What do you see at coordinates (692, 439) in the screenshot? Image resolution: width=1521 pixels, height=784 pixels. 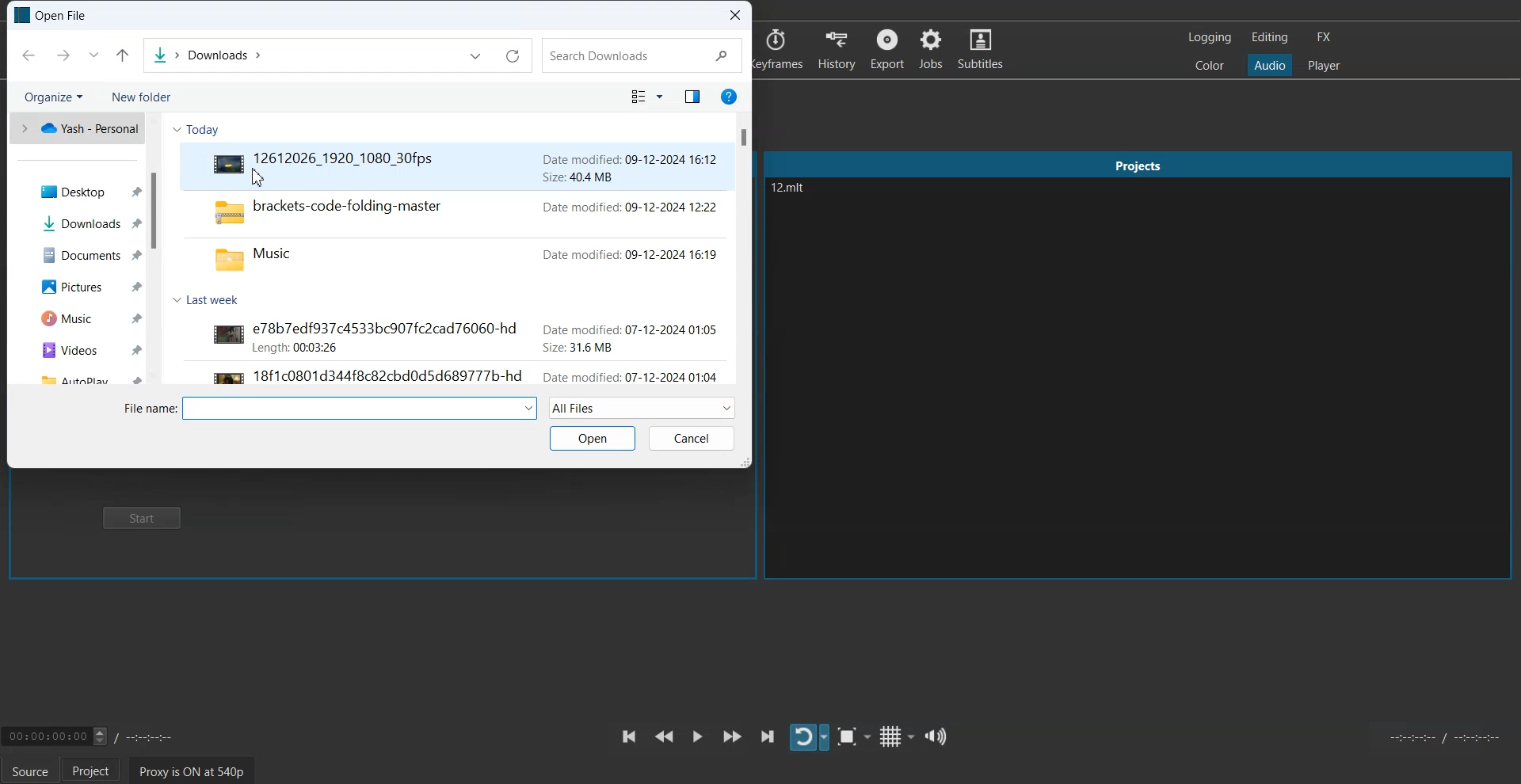 I see `Cancel` at bounding box center [692, 439].